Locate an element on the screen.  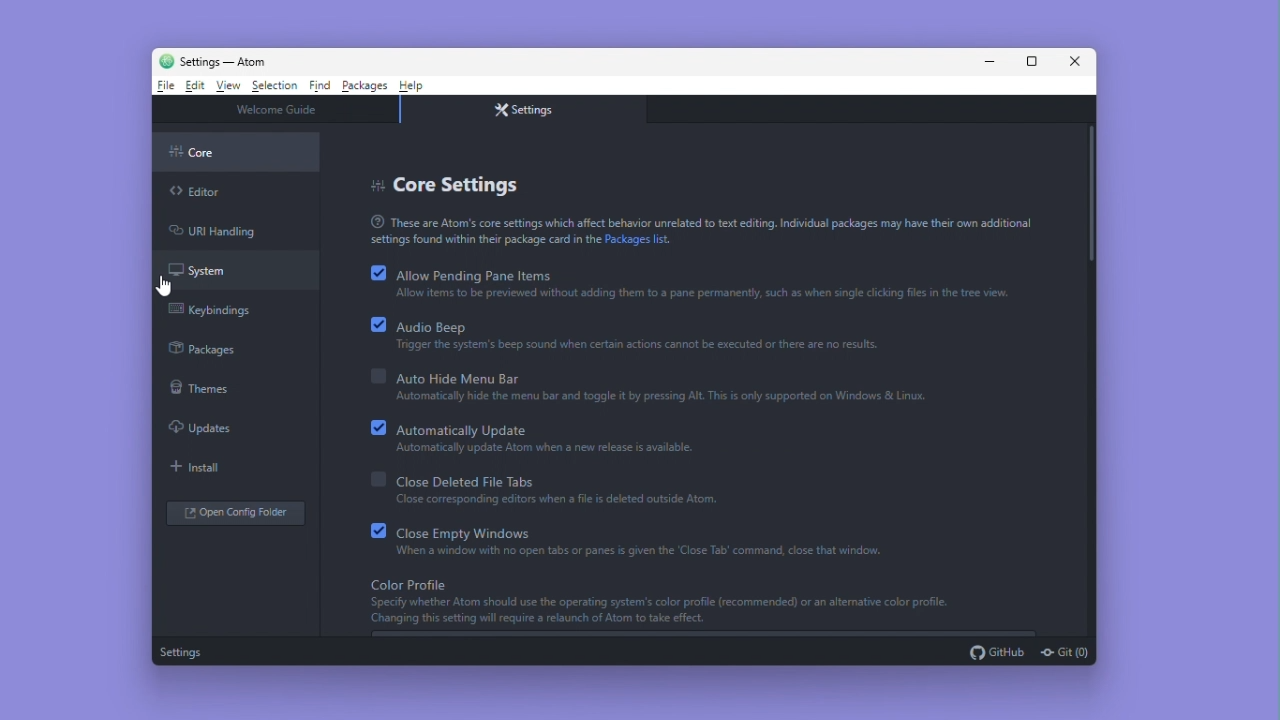
Selection is located at coordinates (276, 86).